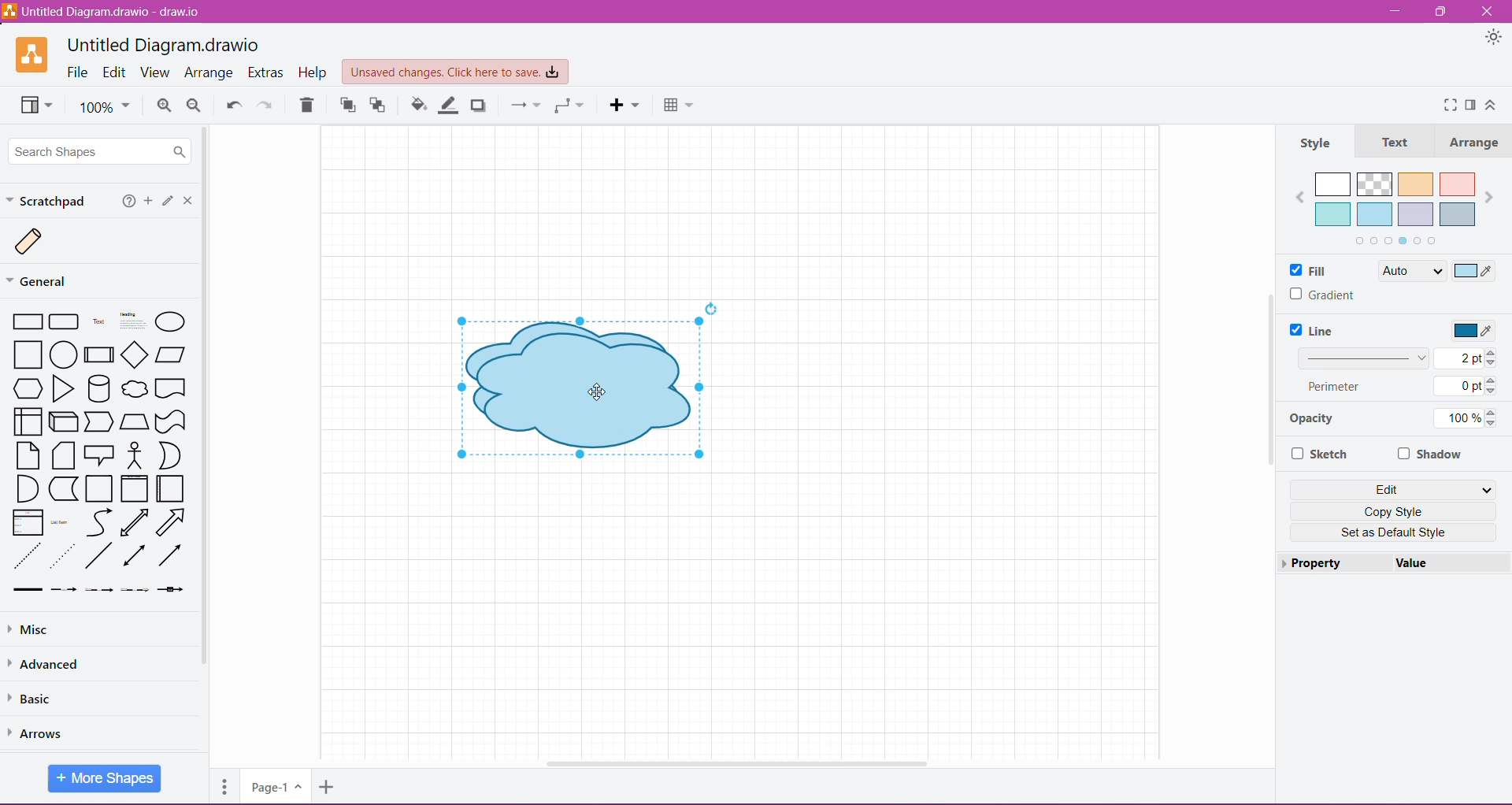 This screenshot has width=1512, height=805. What do you see at coordinates (1399, 359) in the screenshot?
I see `Set Line Width 2 pt` at bounding box center [1399, 359].